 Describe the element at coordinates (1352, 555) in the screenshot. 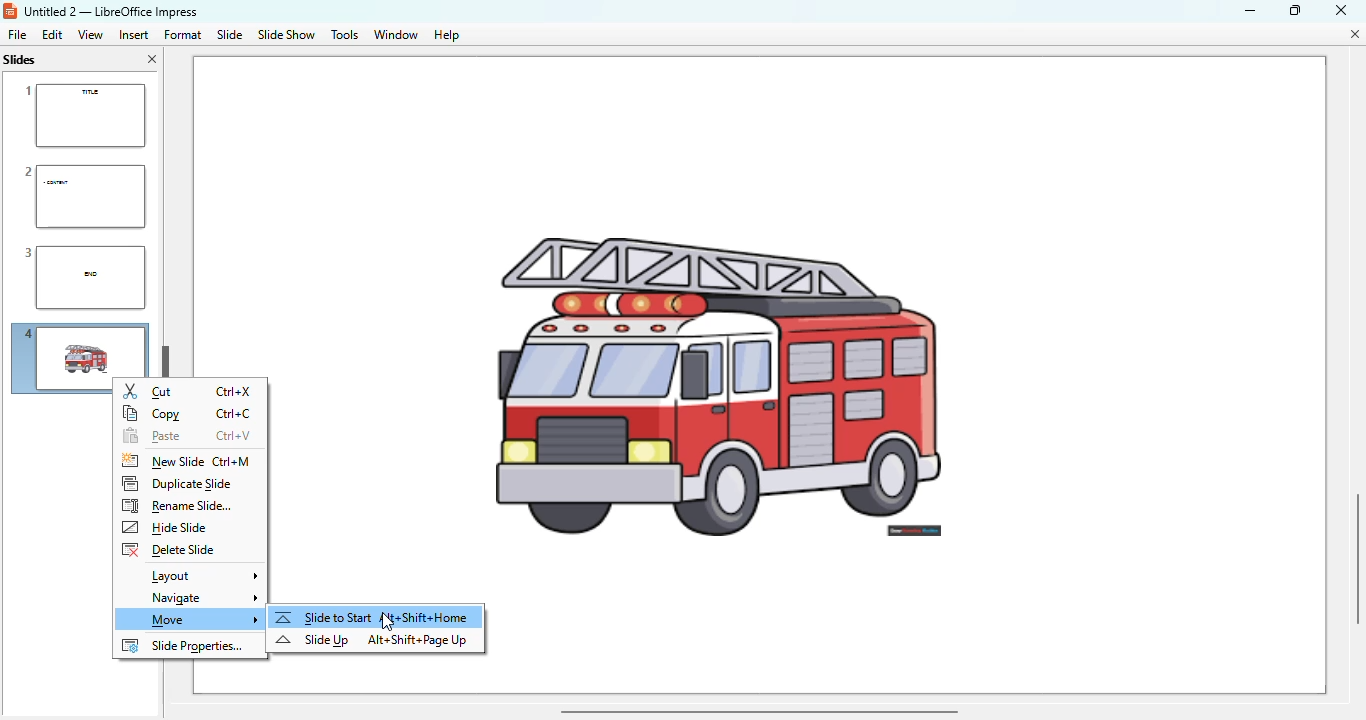

I see `vertical scroll bar` at that location.